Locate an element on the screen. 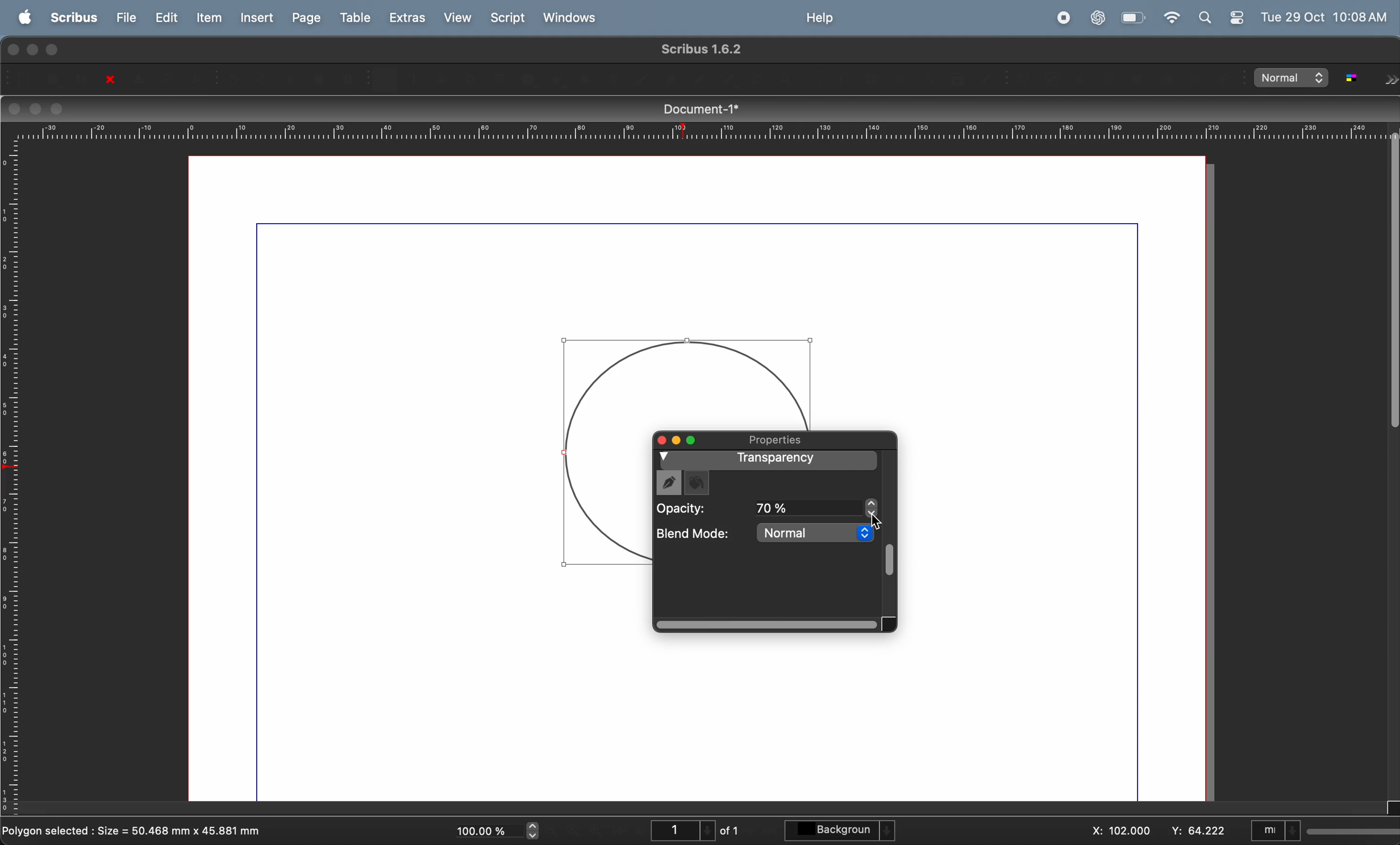 The width and height of the screenshot is (1400, 845). page number is located at coordinates (694, 830).